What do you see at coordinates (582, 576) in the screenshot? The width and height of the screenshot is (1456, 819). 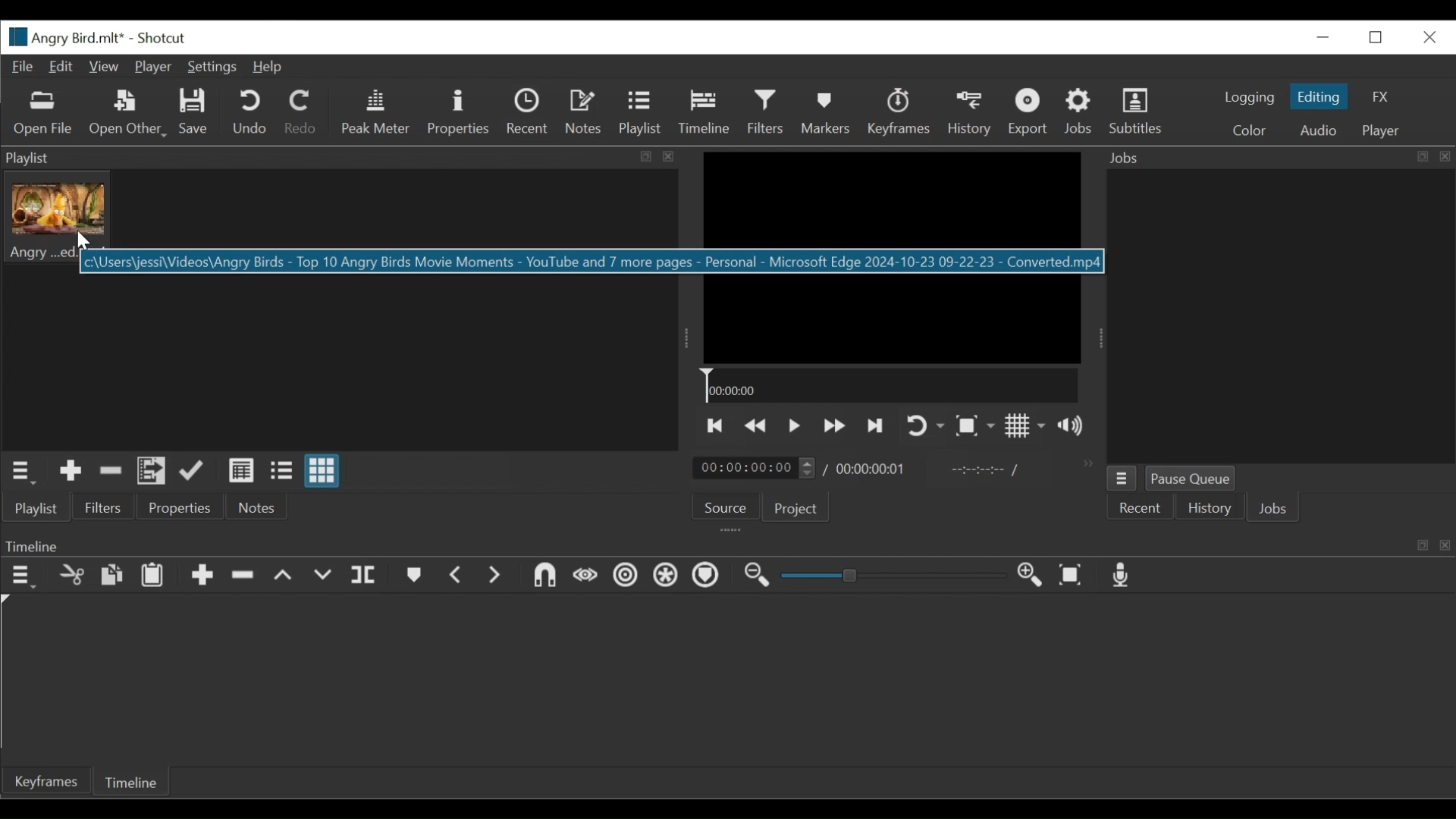 I see `Set First Simple keyframe` at bounding box center [582, 576].